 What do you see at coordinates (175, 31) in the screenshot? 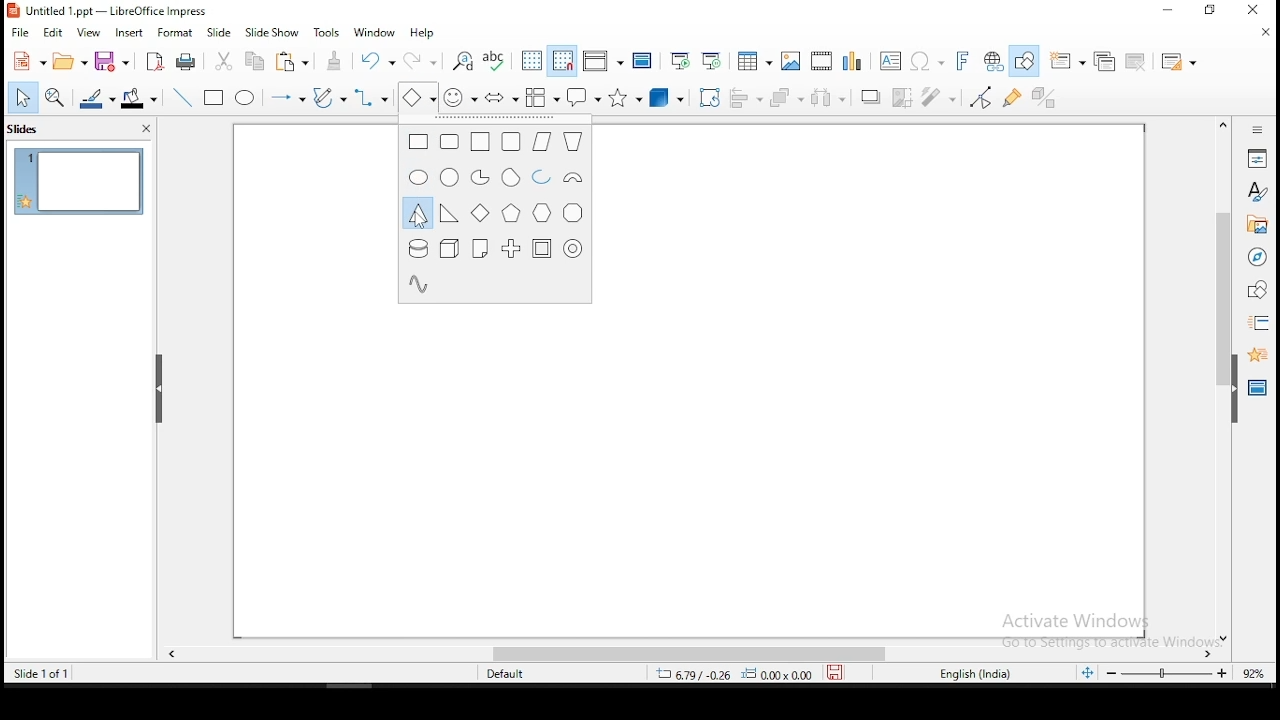
I see `format` at bounding box center [175, 31].